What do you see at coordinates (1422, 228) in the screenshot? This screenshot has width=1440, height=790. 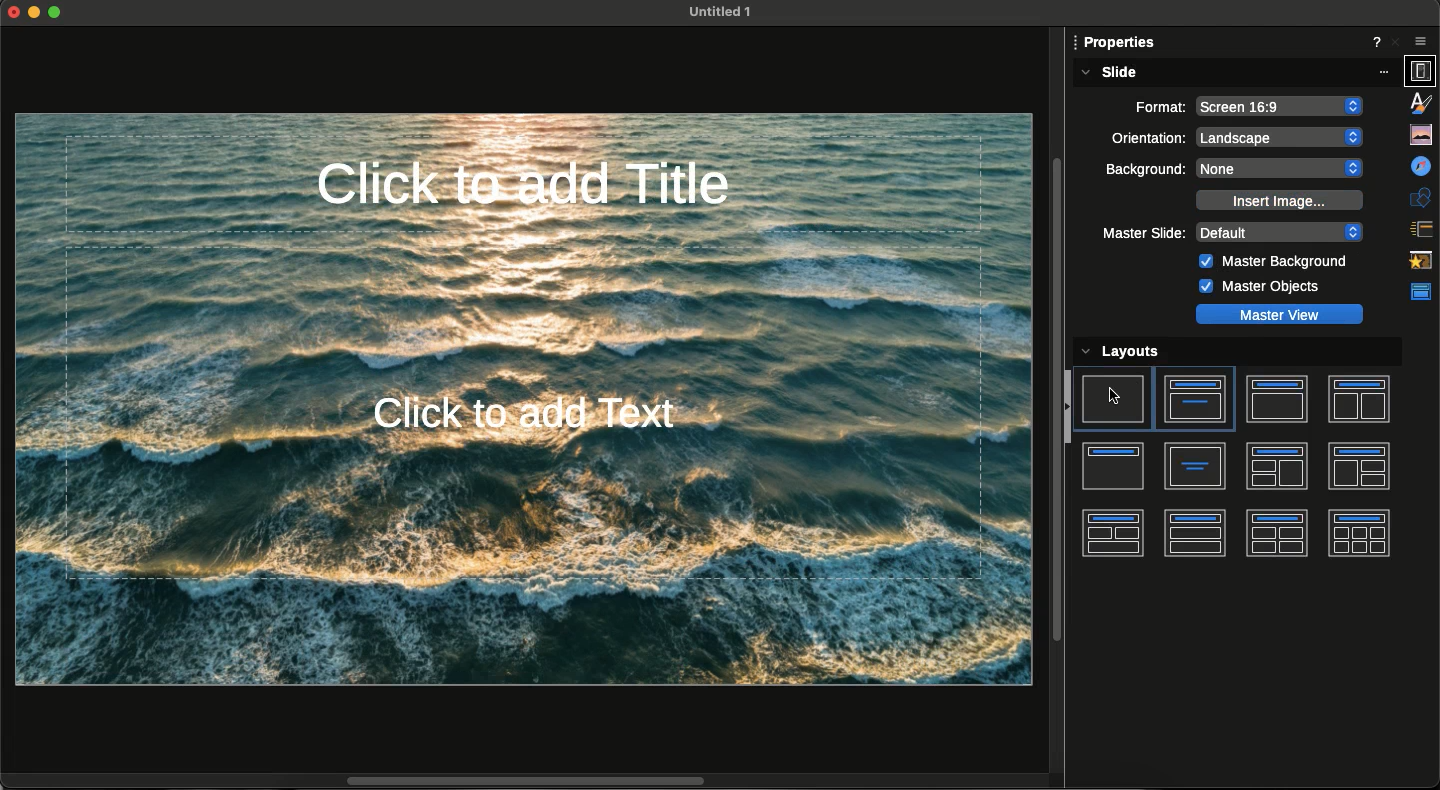 I see `Slide transition` at bounding box center [1422, 228].